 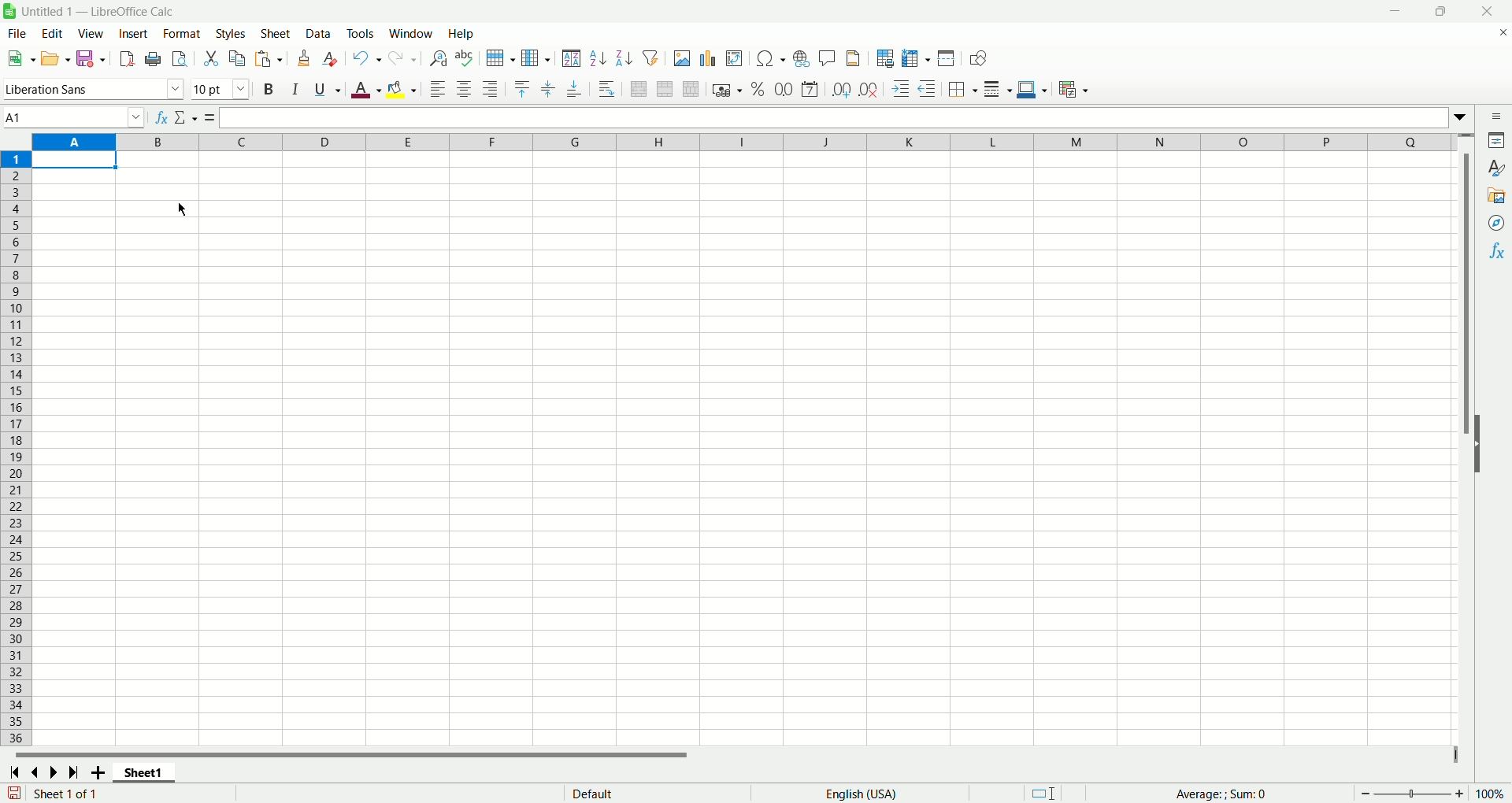 What do you see at coordinates (292, 90) in the screenshot?
I see `italics` at bounding box center [292, 90].